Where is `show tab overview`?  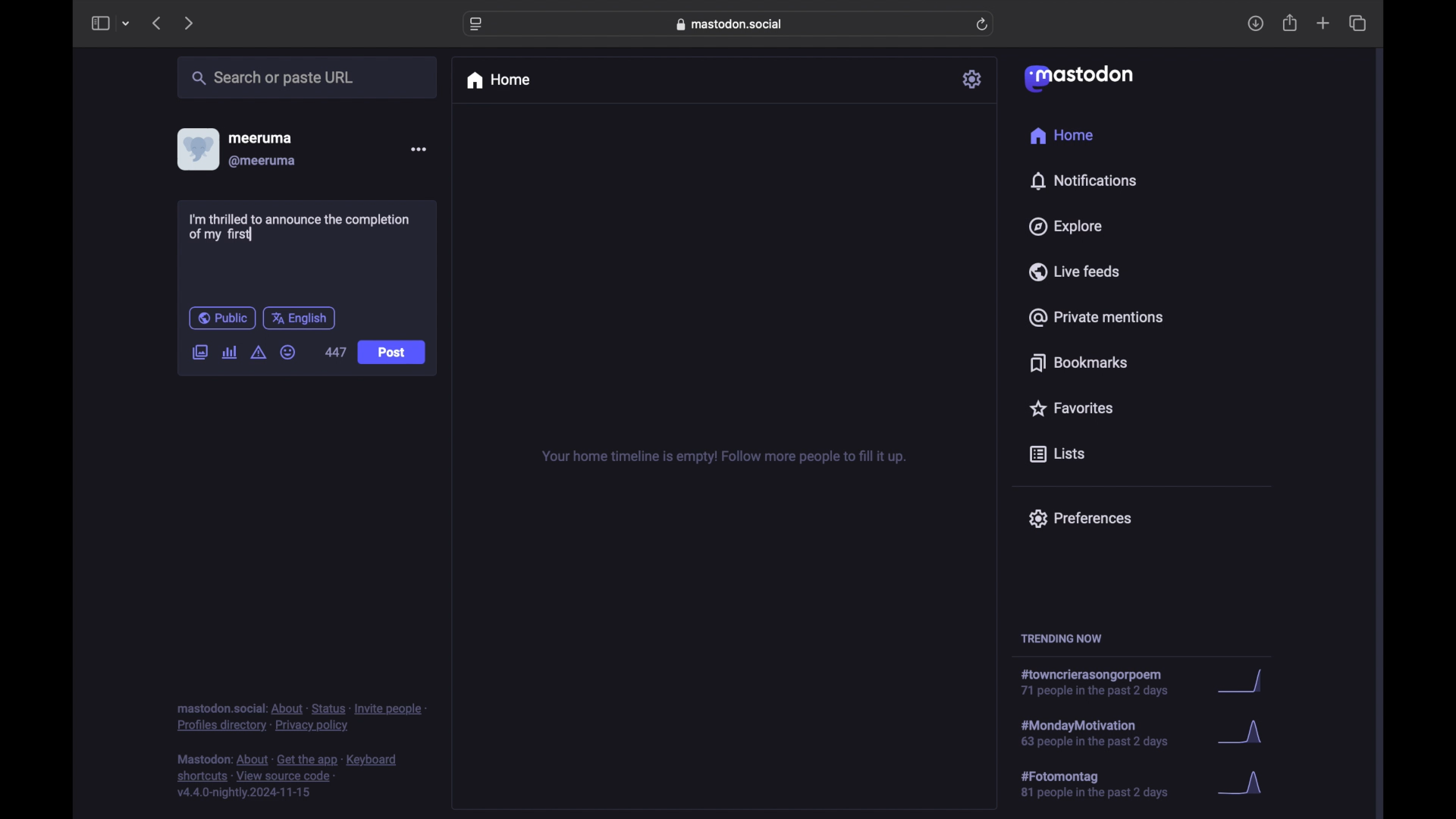 show tab overview is located at coordinates (1359, 23).